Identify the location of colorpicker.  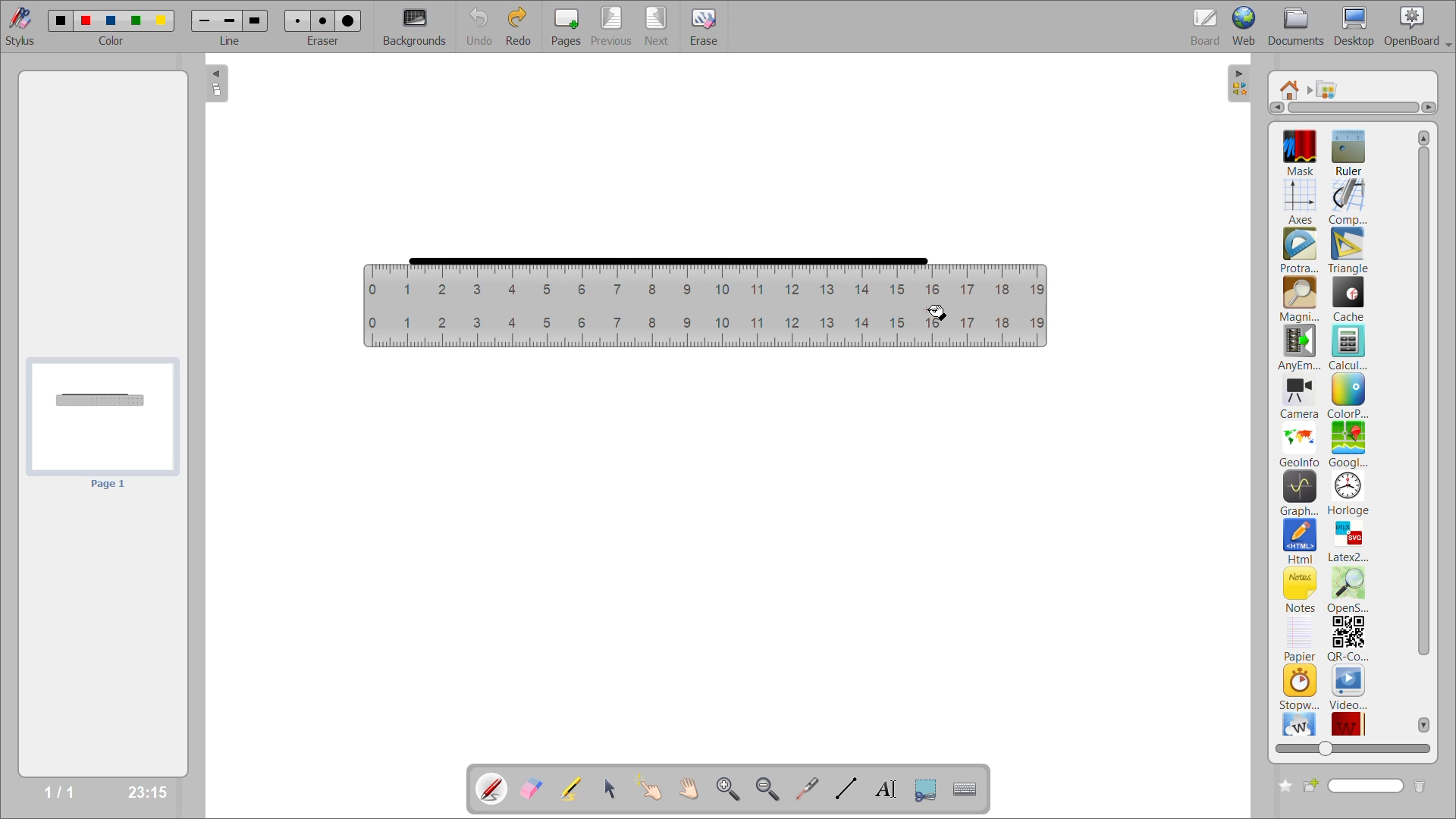
(1348, 396).